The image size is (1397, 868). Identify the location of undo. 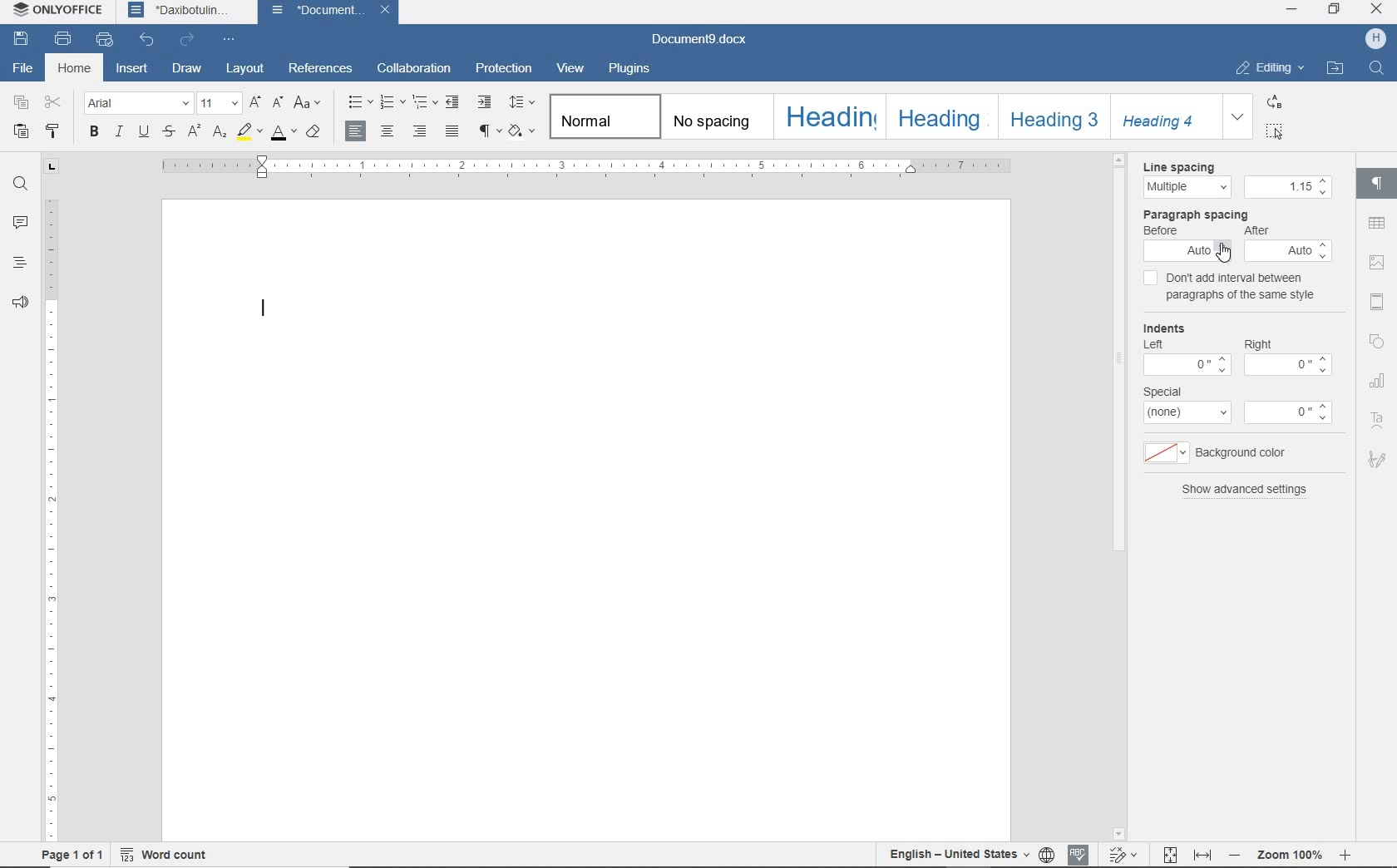
(146, 40).